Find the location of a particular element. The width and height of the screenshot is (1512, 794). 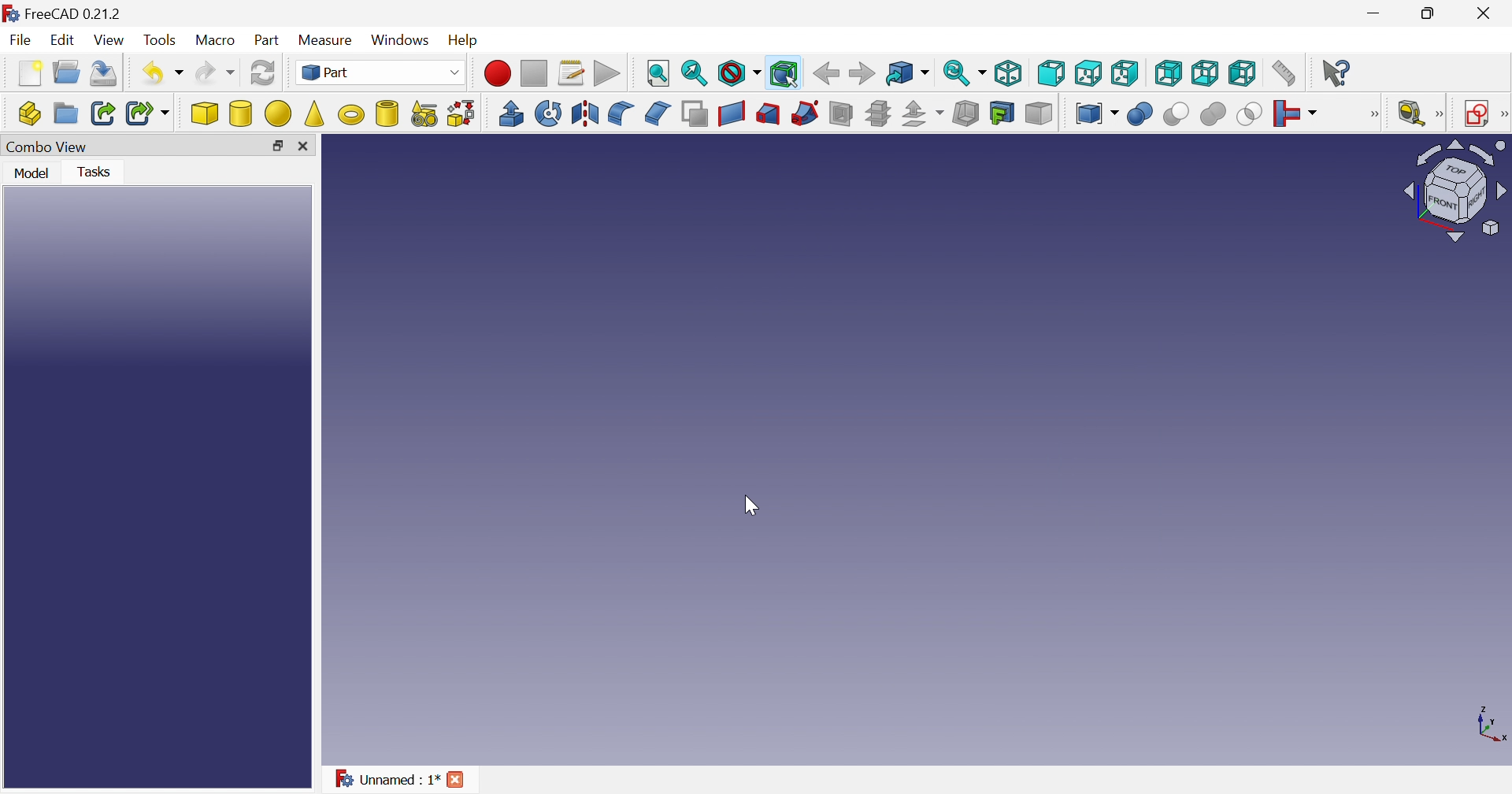

Create group is located at coordinates (66, 114).